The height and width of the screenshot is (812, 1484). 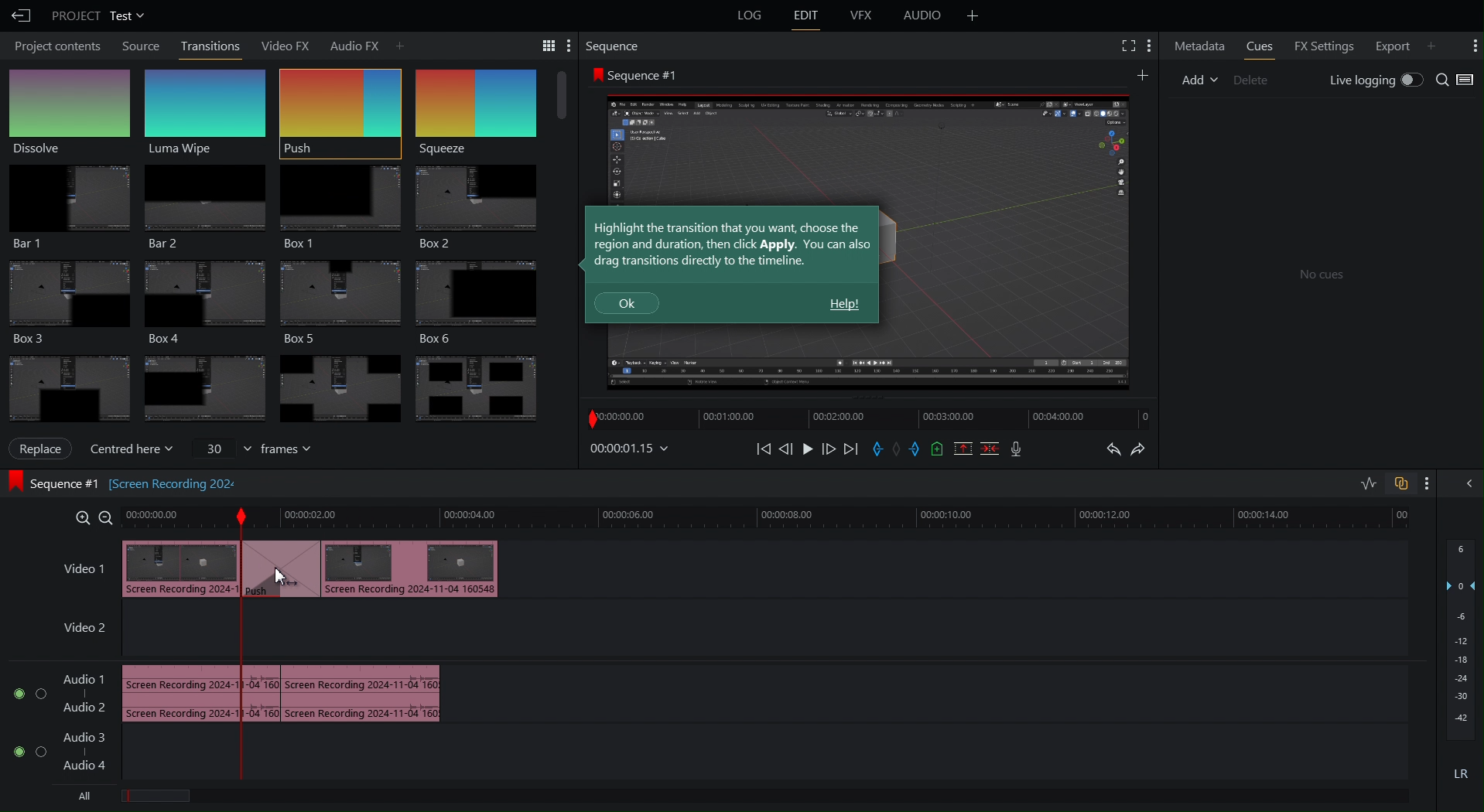 What do you see at coordinates (135, 446) in the screenshot?
I see `Centered here` at bounding box center [135, 446].